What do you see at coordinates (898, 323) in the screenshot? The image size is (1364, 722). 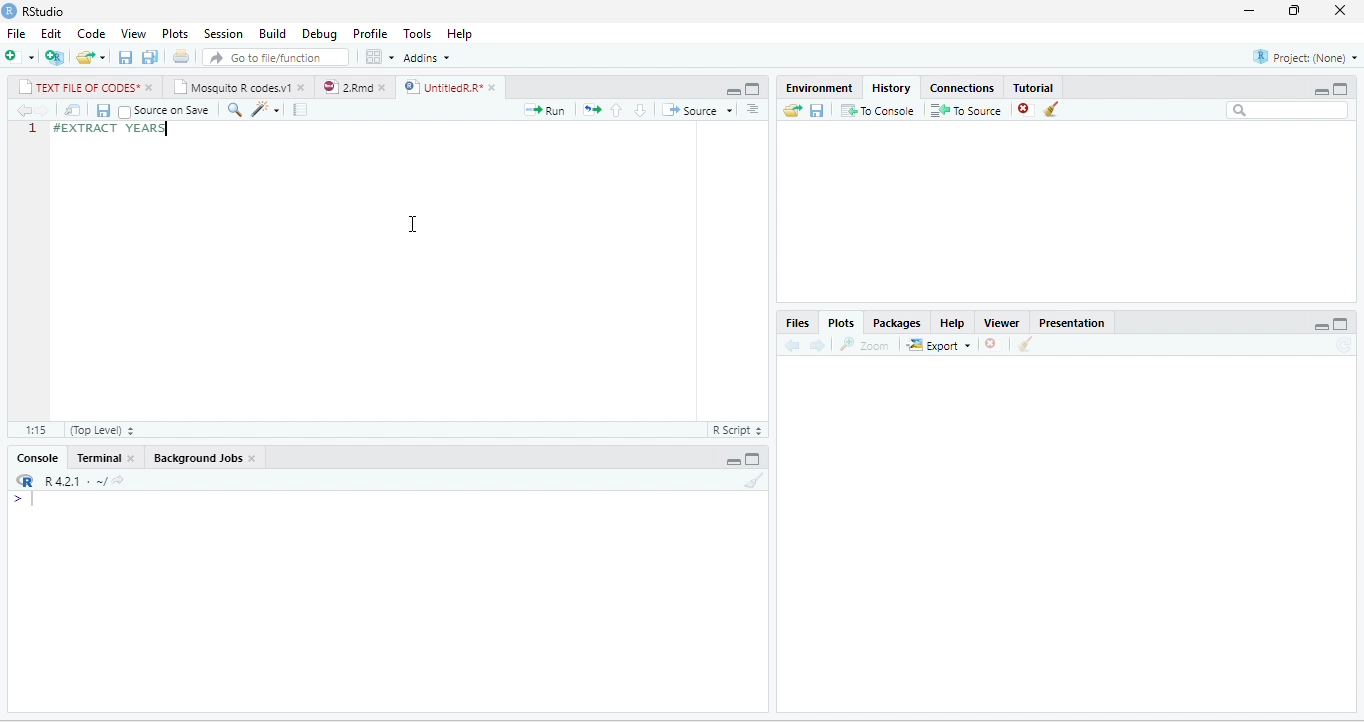 I see `Packages` at bounding box center [898, 323].